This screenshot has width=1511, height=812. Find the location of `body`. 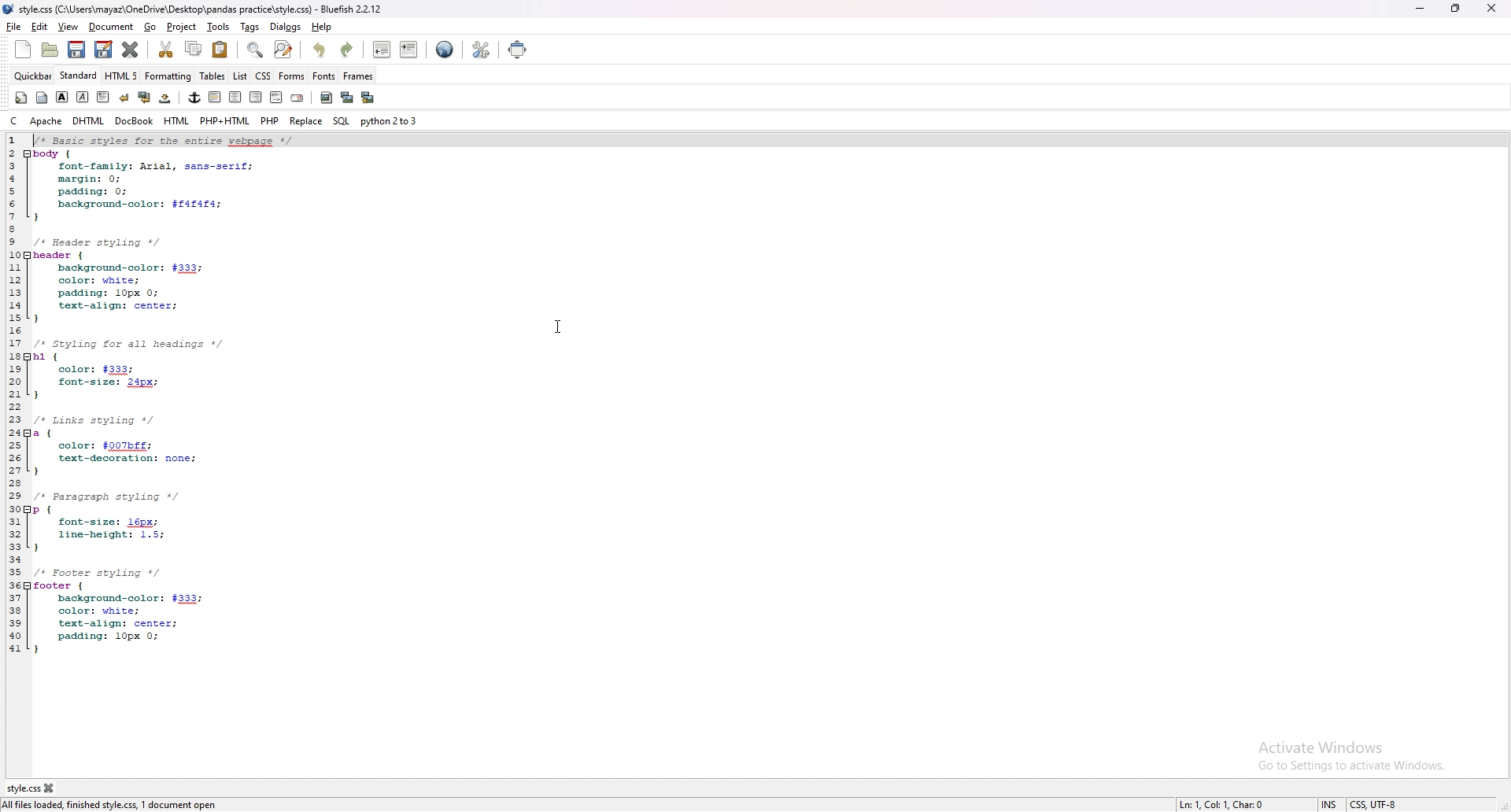

body is located at coordinates (42, 98).